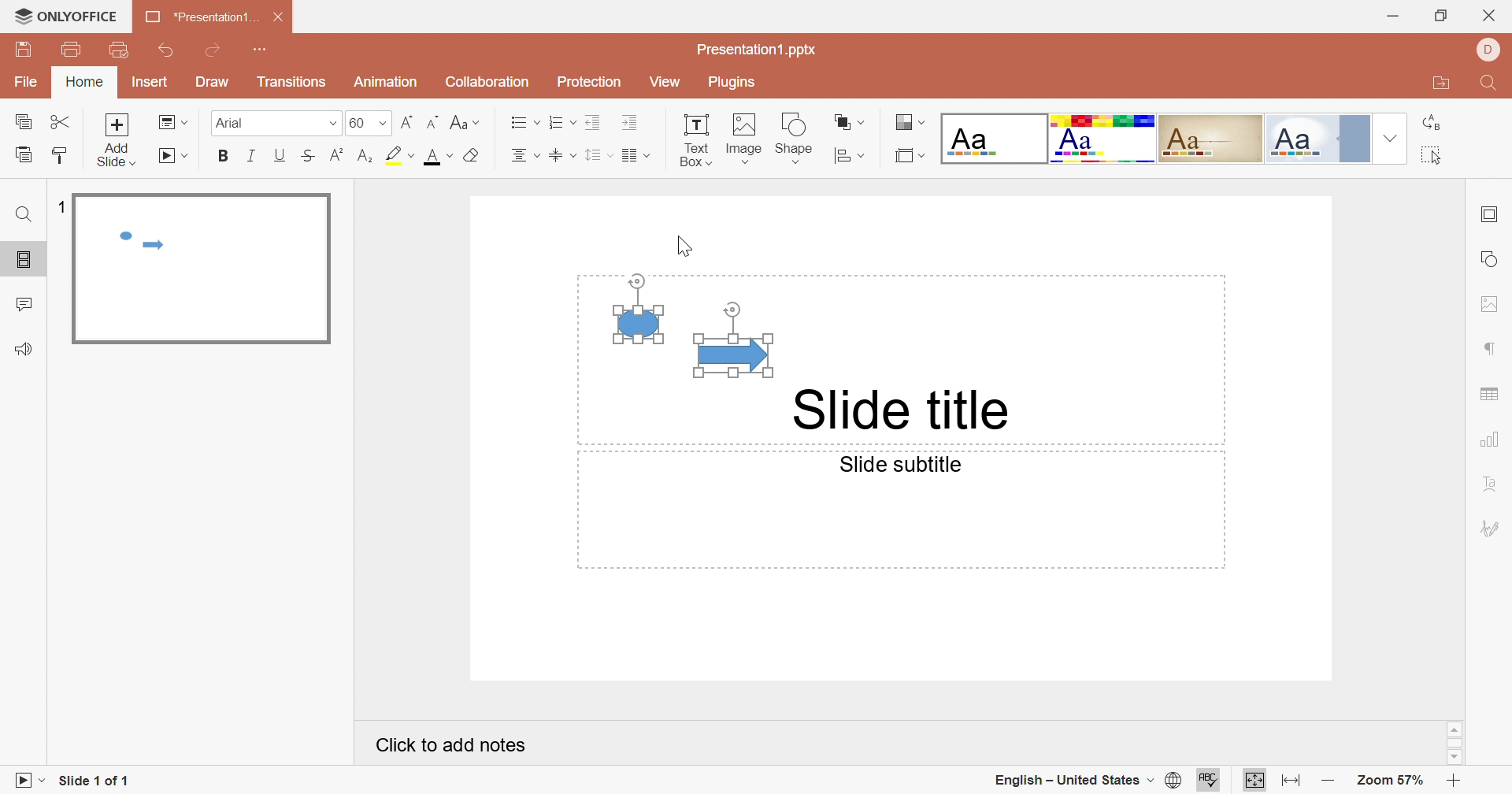  What do you see at coordinates (204, 19) in the screenshot?
I see `*Presentation1...` at bounding box center [204, 19].